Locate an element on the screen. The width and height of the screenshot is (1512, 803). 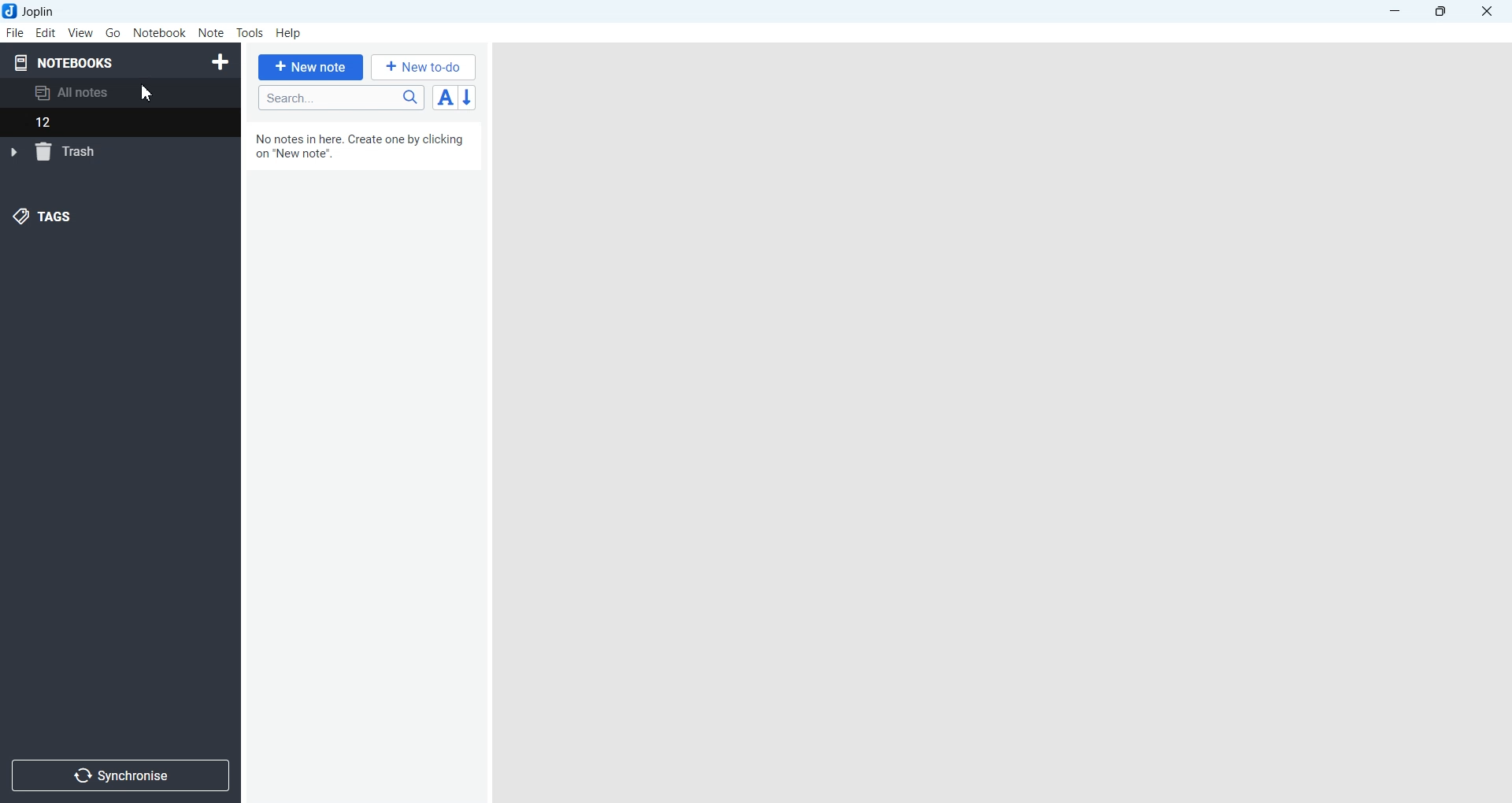
Search bar is located at coordinates (341, 98).